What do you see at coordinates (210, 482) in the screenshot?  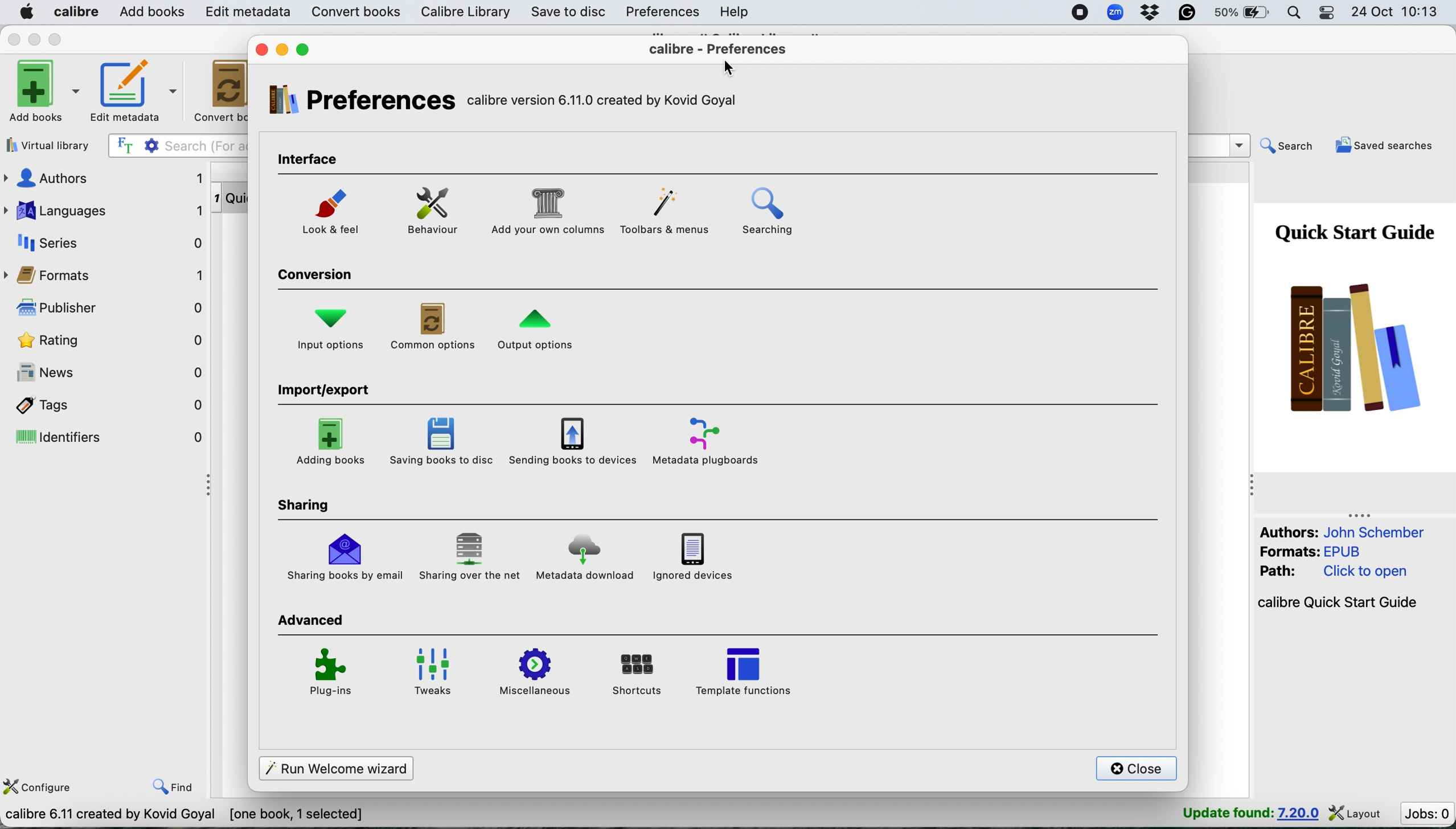 I see `collapse` at bounding box center [210, 482].